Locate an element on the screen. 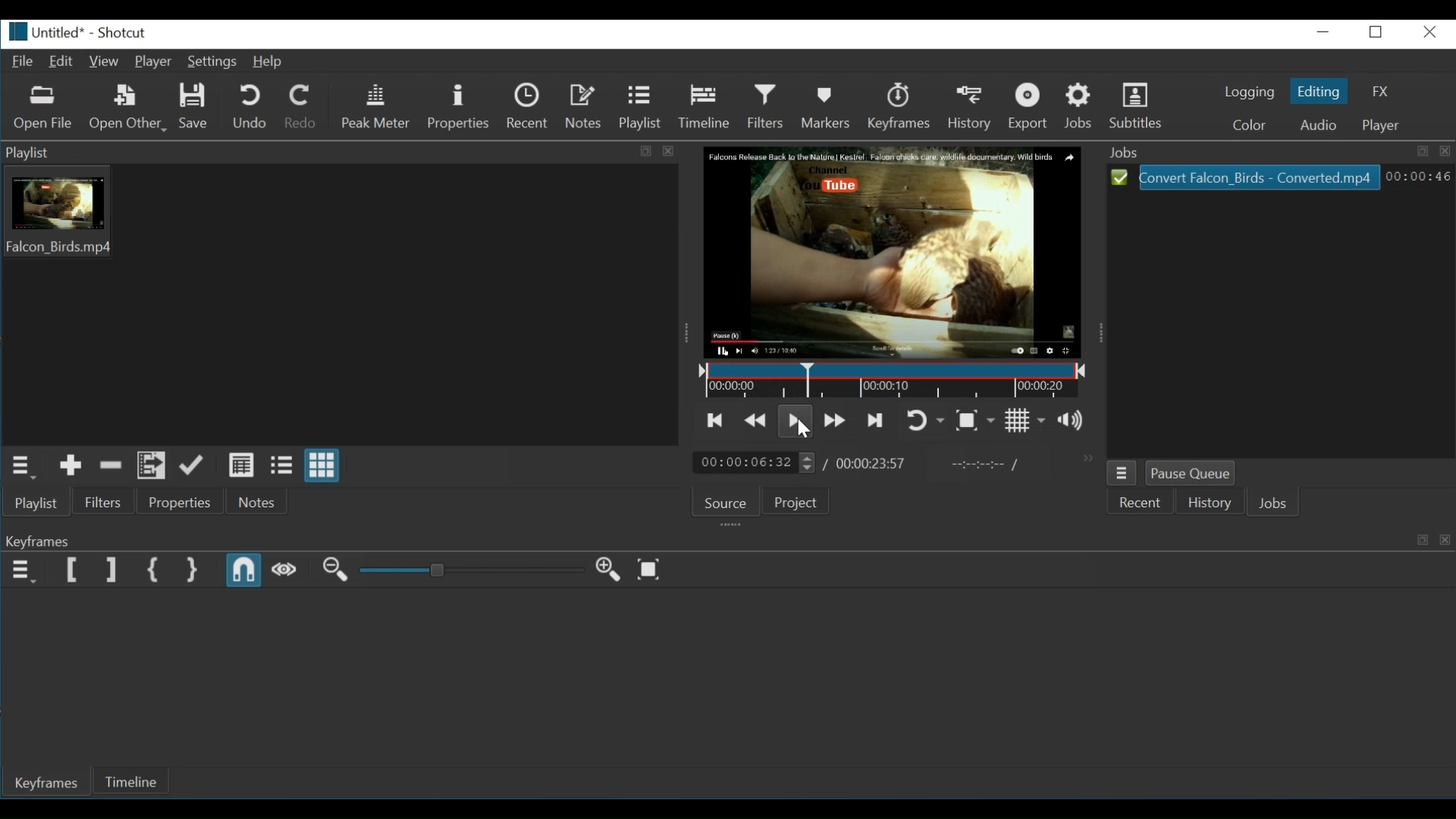  Select icon is located at coordinates (1119, 178).